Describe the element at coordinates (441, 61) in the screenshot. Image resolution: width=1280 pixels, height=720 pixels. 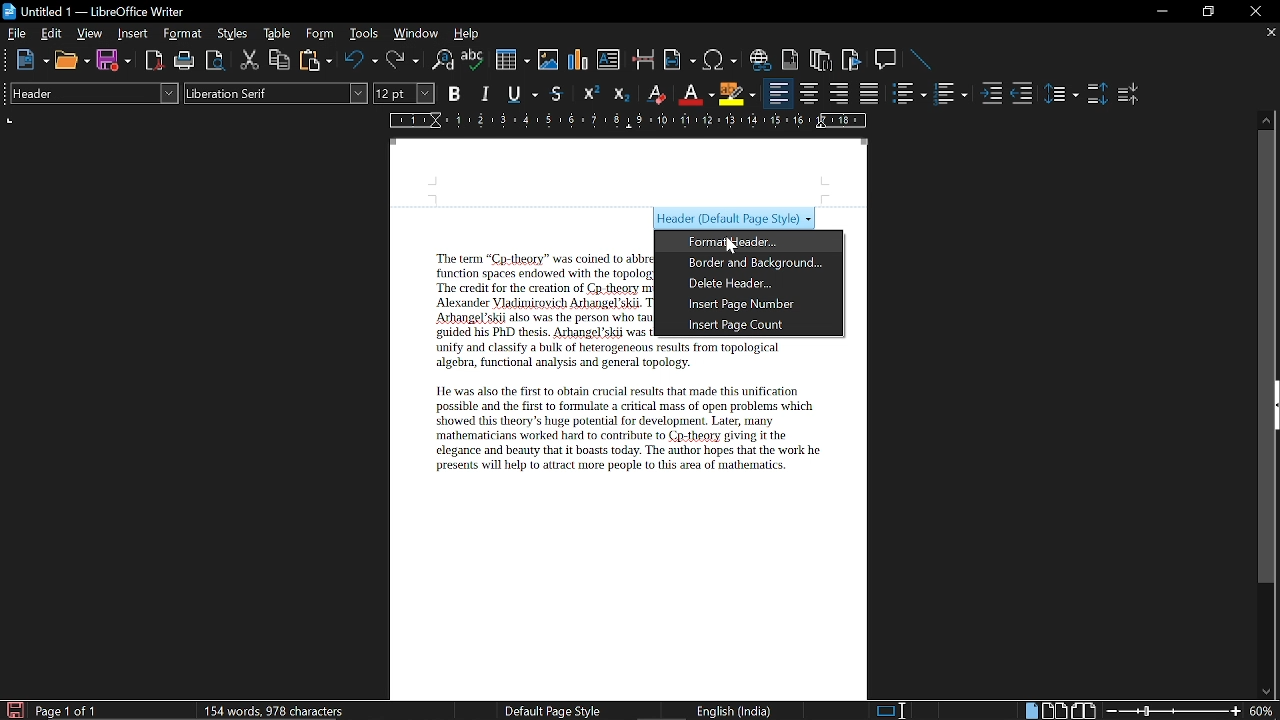
I see `Find and replace` at that location.